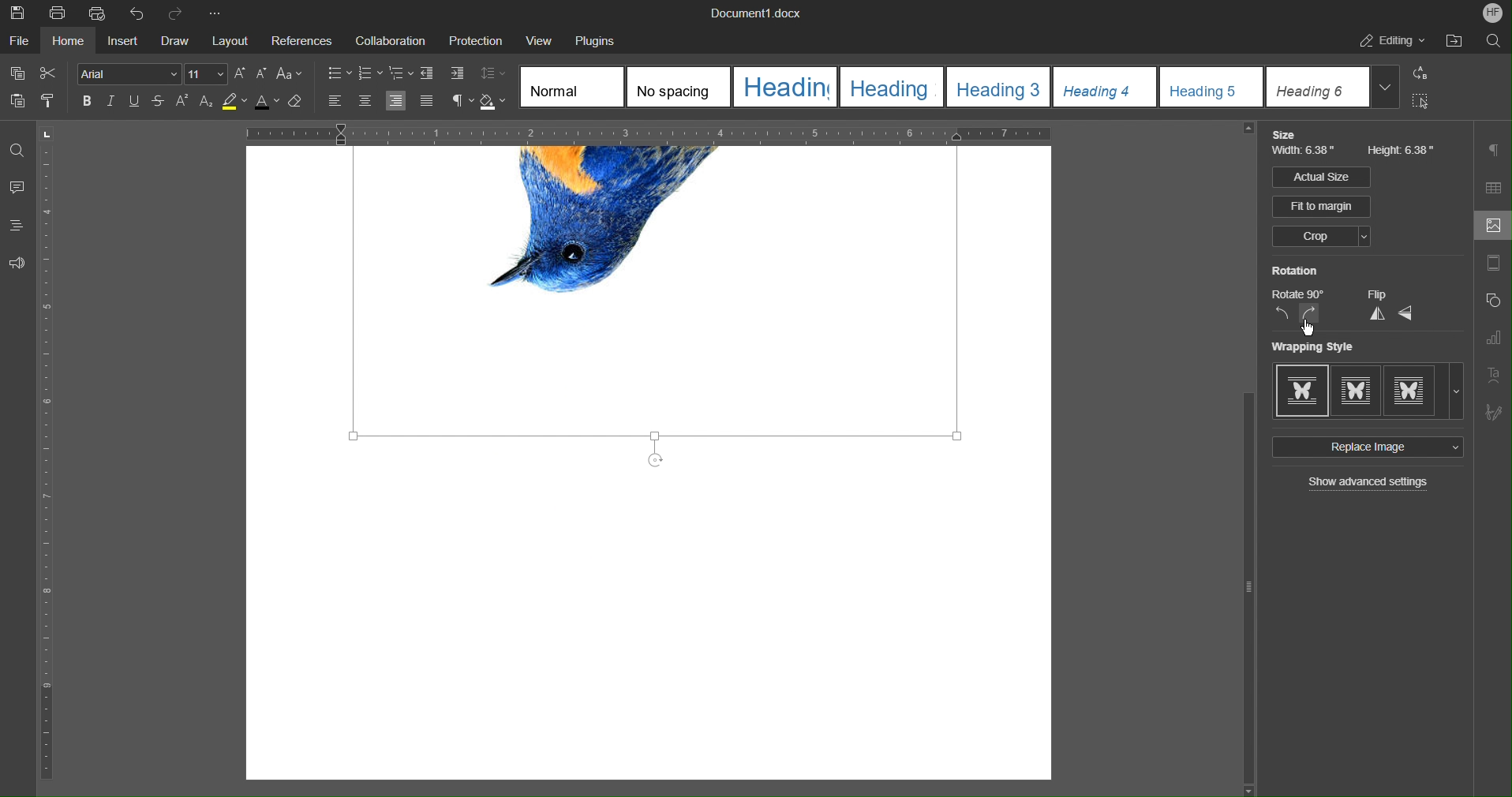 This screenshot has height=797, width=1512. Describe the element at coordinates (468, 37) in the screenshot. I see `Protection` at that location.